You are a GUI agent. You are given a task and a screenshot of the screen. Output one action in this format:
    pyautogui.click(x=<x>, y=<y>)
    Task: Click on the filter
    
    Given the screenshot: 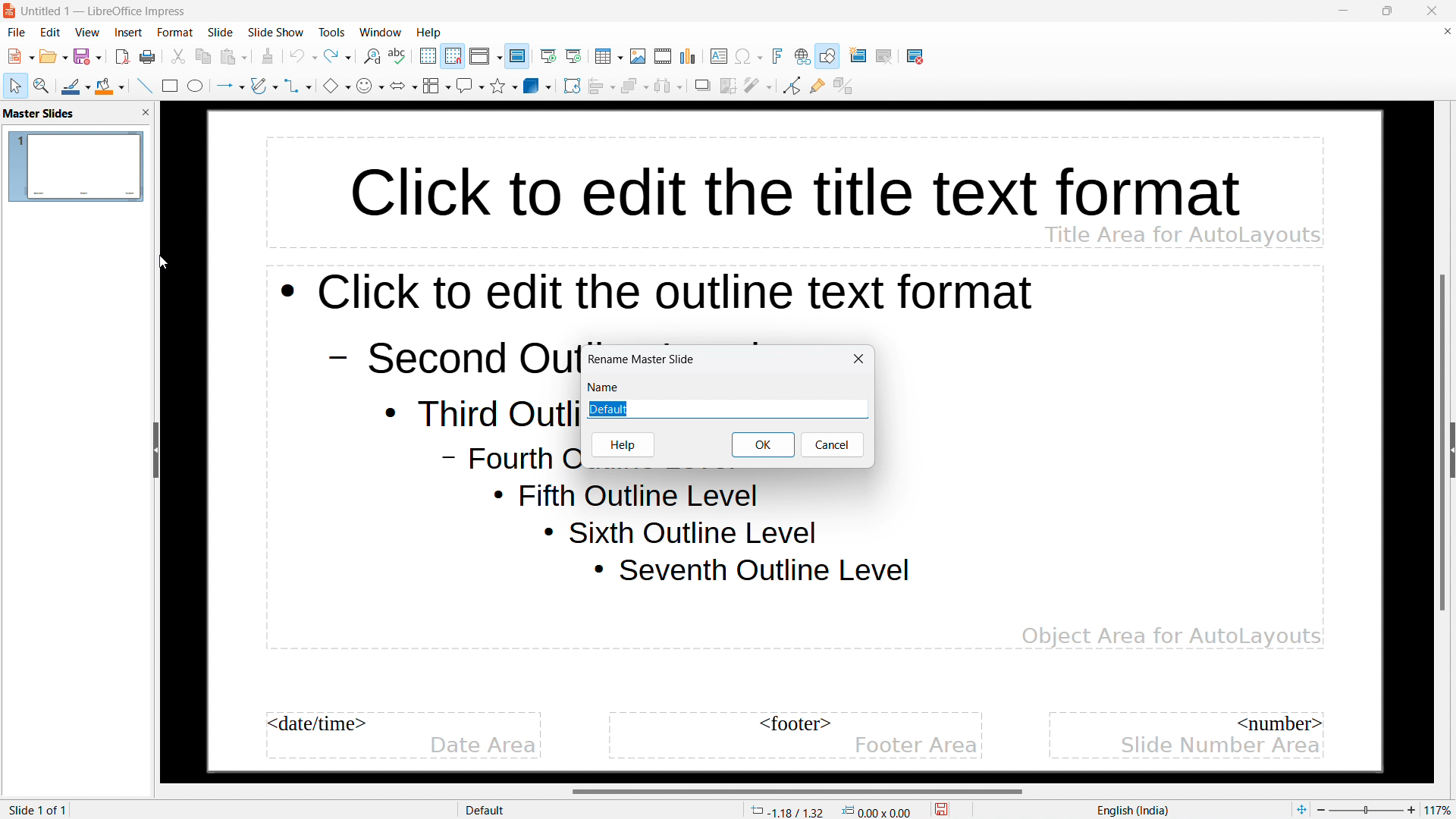 What is the action you would take?
    pyautogui.click(x=758, y=85)
    